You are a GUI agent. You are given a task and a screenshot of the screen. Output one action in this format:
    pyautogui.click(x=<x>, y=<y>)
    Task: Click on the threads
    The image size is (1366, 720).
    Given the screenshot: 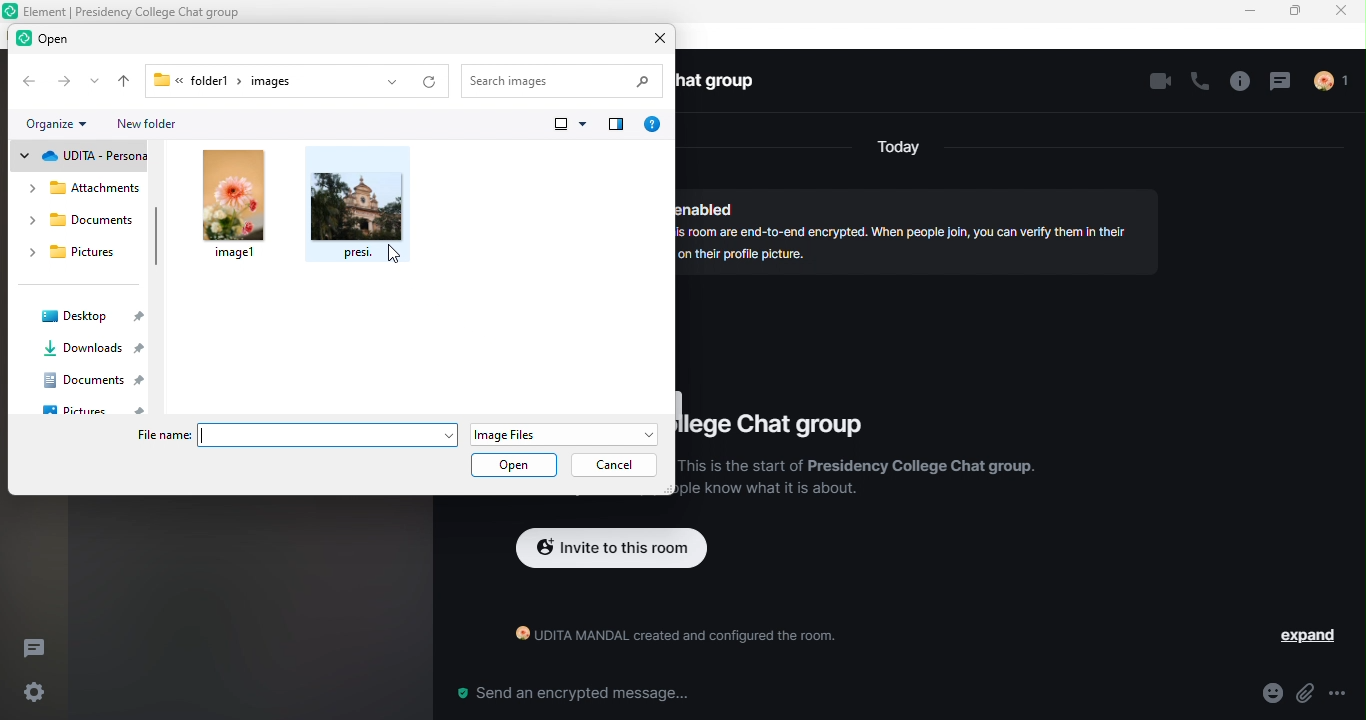 What is the action you would take?
    pyautogui.click(x=41, y=646)
    